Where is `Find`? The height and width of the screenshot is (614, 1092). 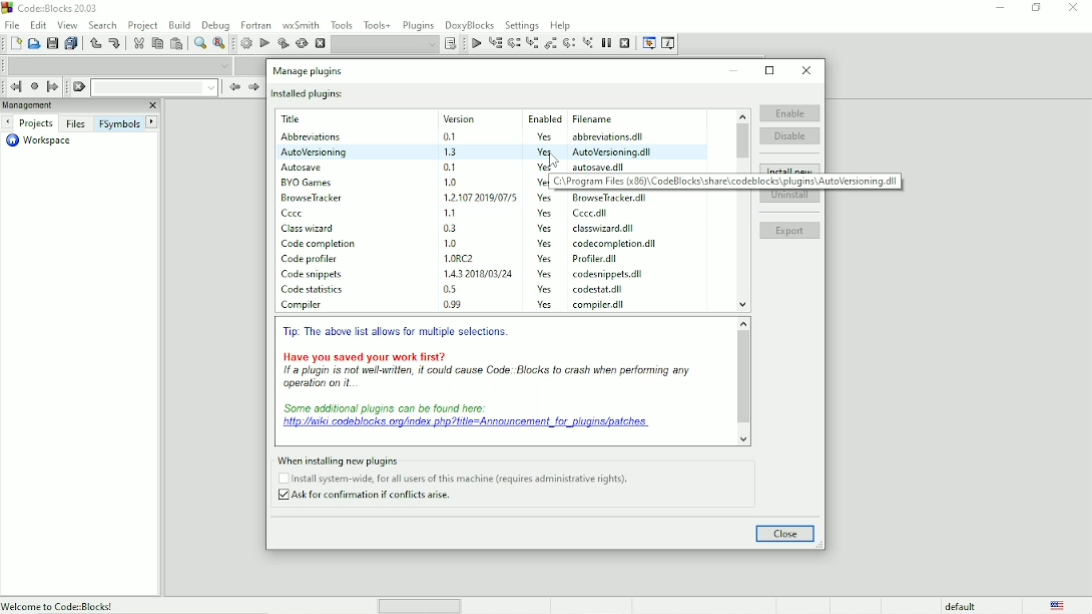
Find is located at coordinates (199, 43).